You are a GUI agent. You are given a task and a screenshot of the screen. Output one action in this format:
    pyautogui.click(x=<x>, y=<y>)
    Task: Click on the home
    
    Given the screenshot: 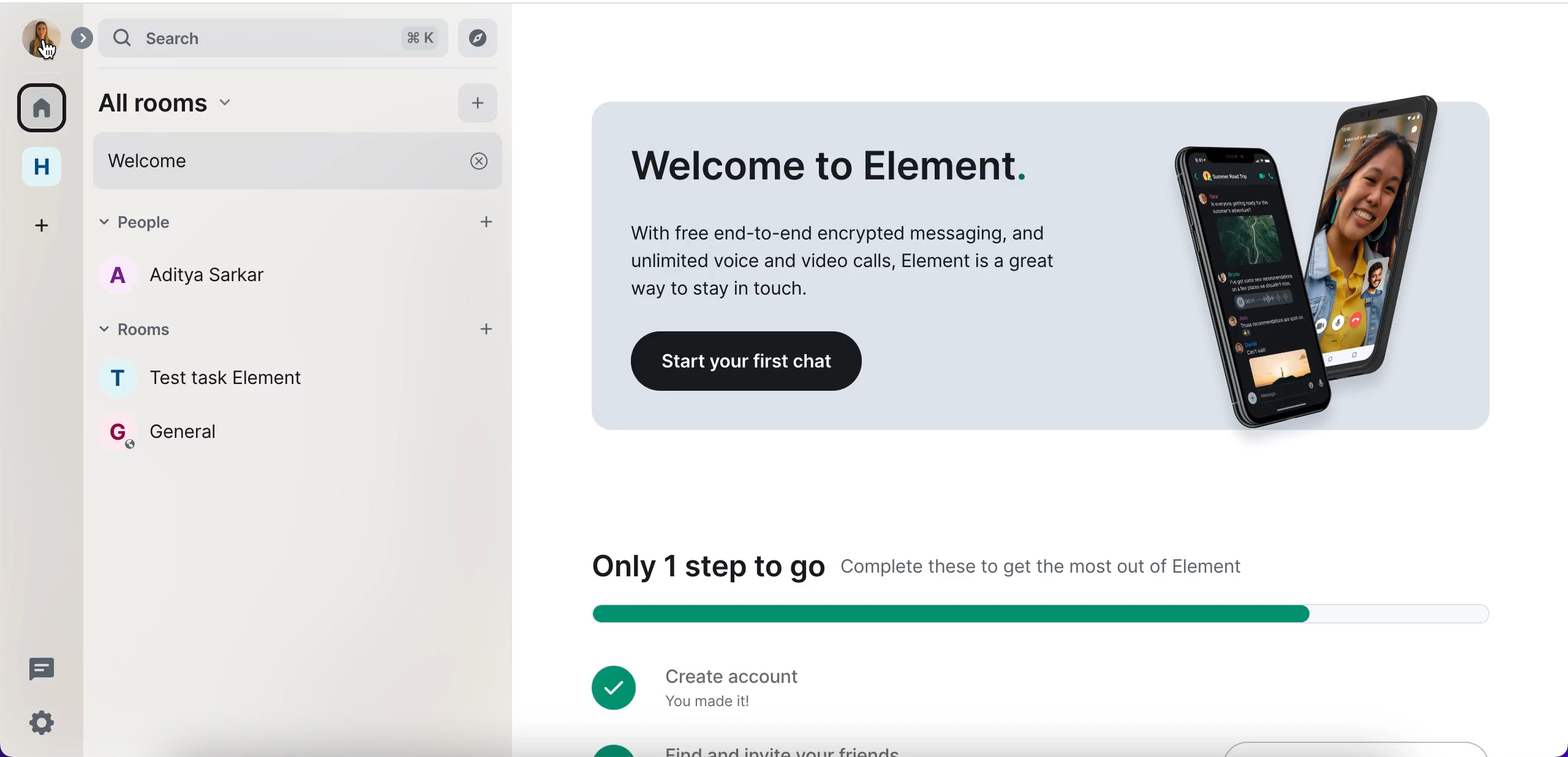 What is the action you would take?
    pyautogui.click(x=45, y=165)
    